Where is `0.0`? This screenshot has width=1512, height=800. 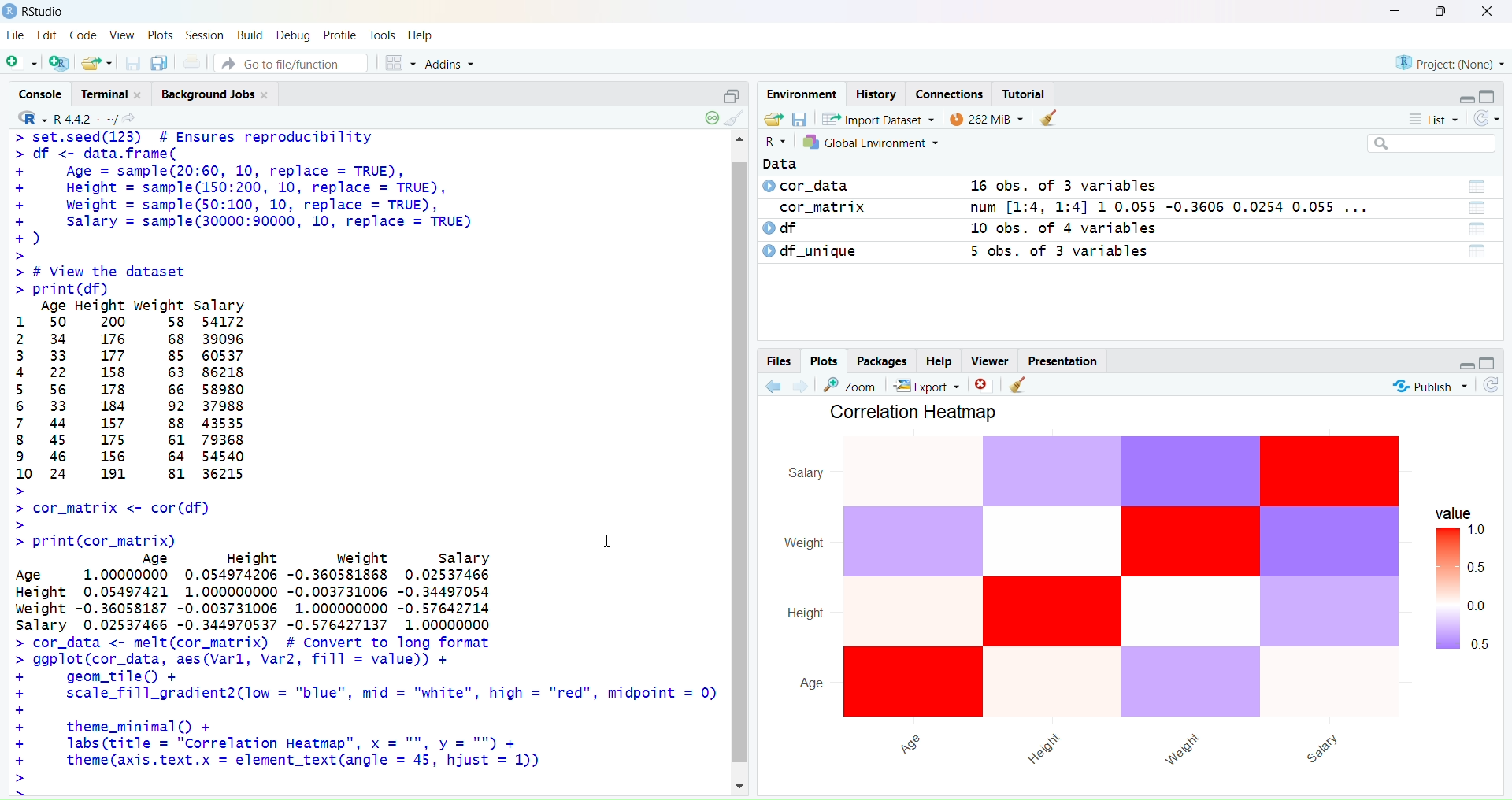
0.0 is located at coordinates (1480, 606).